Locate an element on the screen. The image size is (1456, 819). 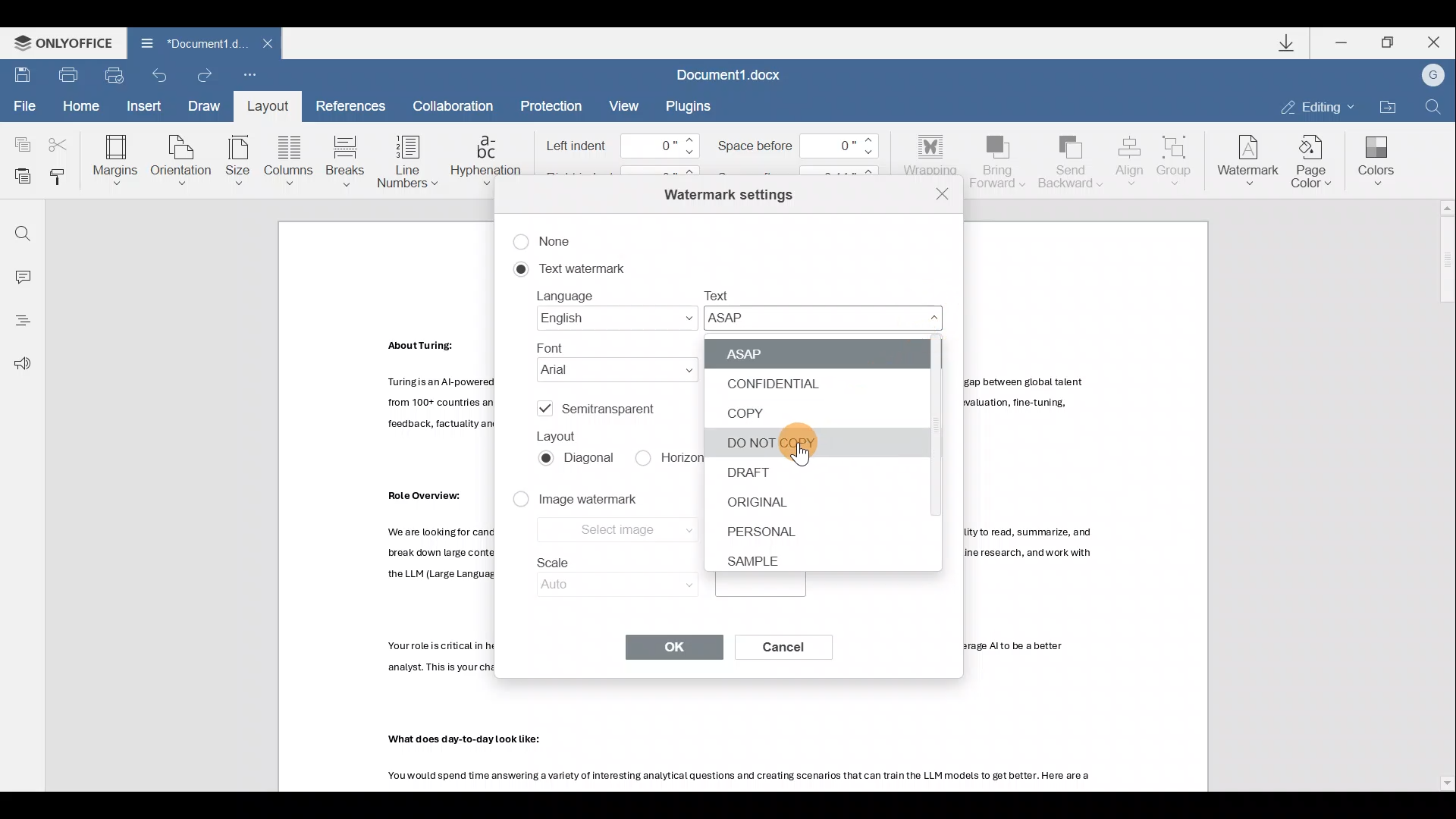
Maximize is located at coordinates (1386, 42).